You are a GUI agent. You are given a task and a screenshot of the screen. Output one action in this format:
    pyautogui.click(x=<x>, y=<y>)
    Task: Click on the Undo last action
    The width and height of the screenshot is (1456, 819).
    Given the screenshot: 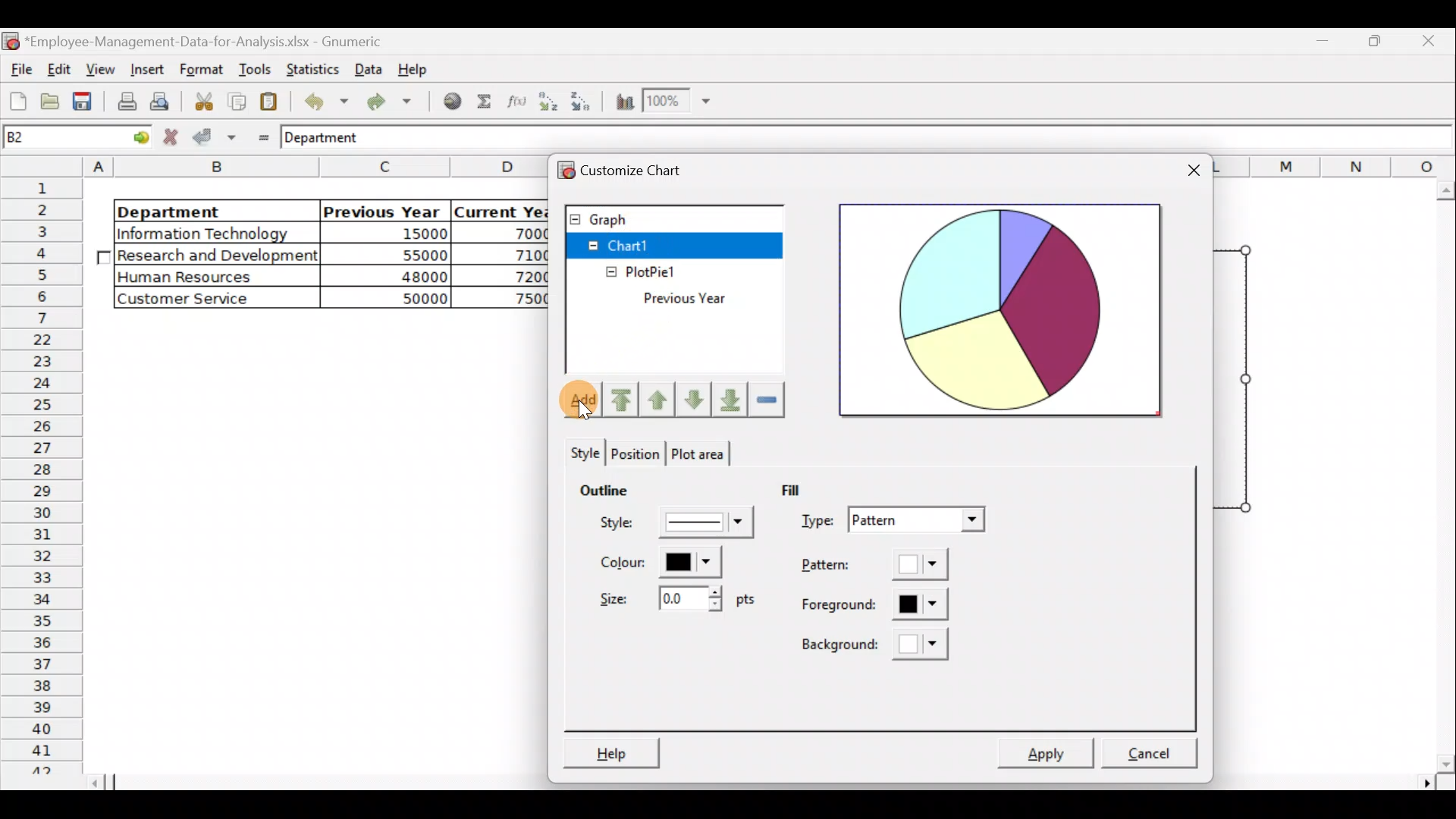 What is the action you would take?
    pyautogui.click(x=324, y=101)
    